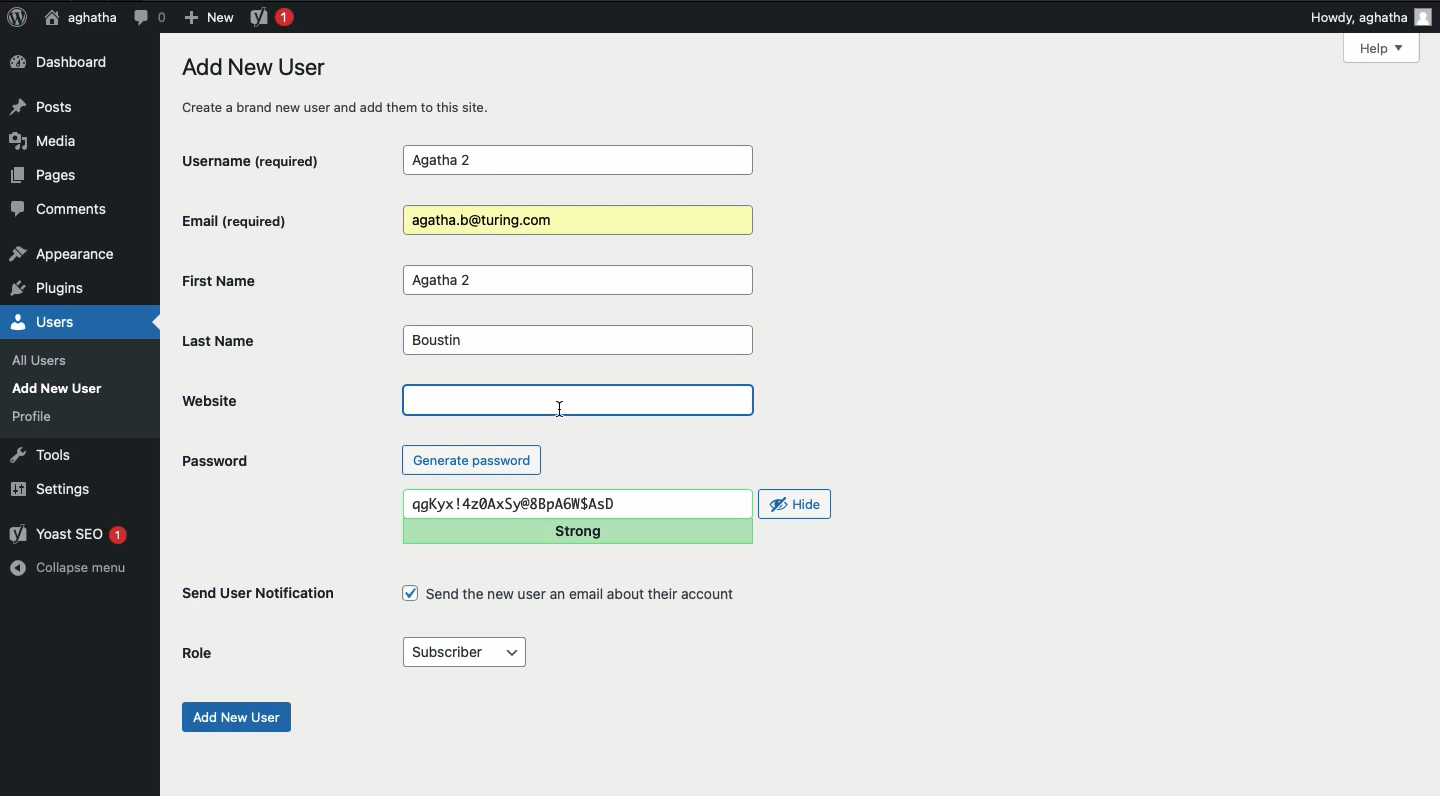  What do you see at coordinates (234, 717) in the screenshot?
I see `Add new user` at bounding box center [234, 717].